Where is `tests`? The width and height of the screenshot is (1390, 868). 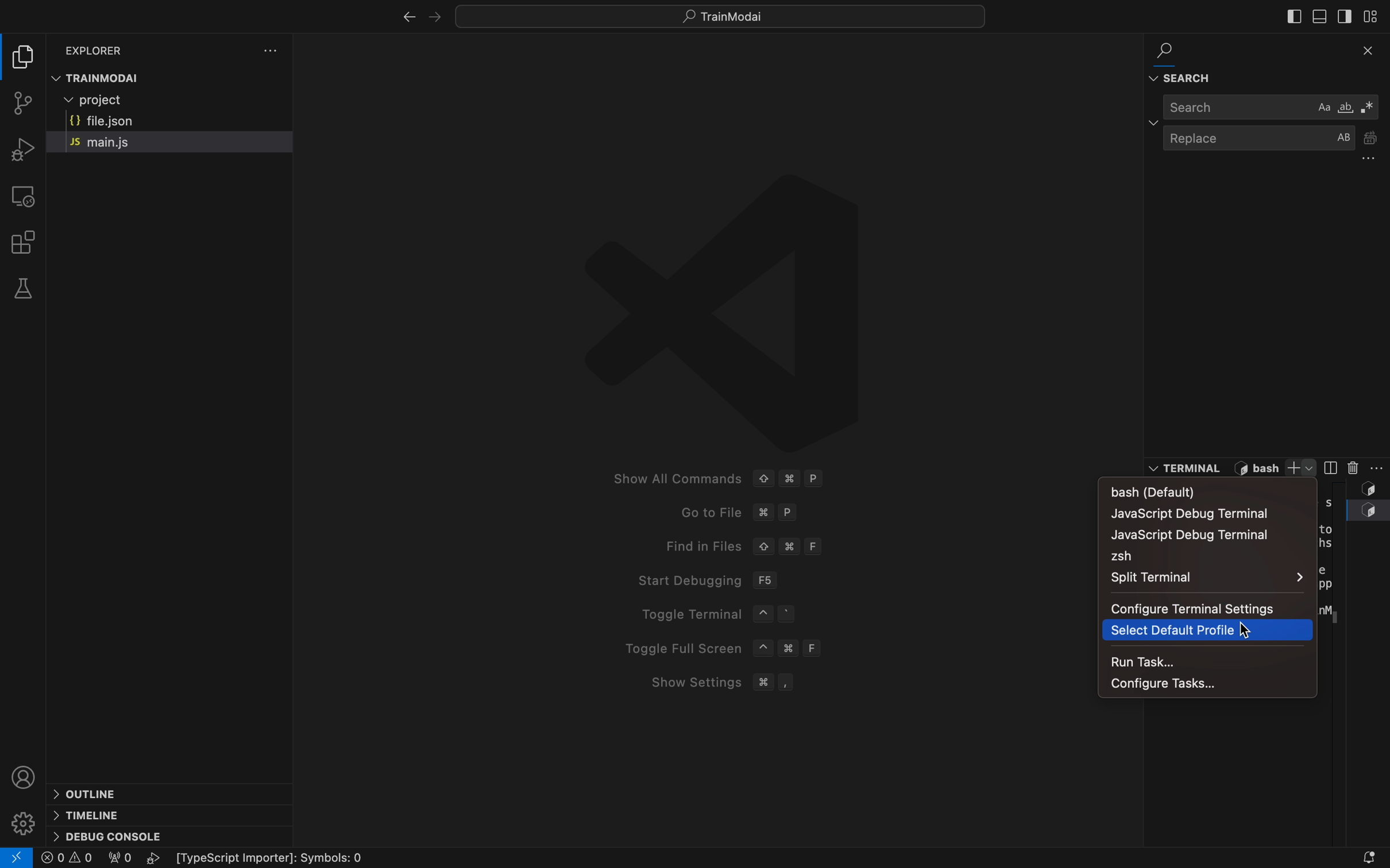
tests is located at coordinates (24, 289).